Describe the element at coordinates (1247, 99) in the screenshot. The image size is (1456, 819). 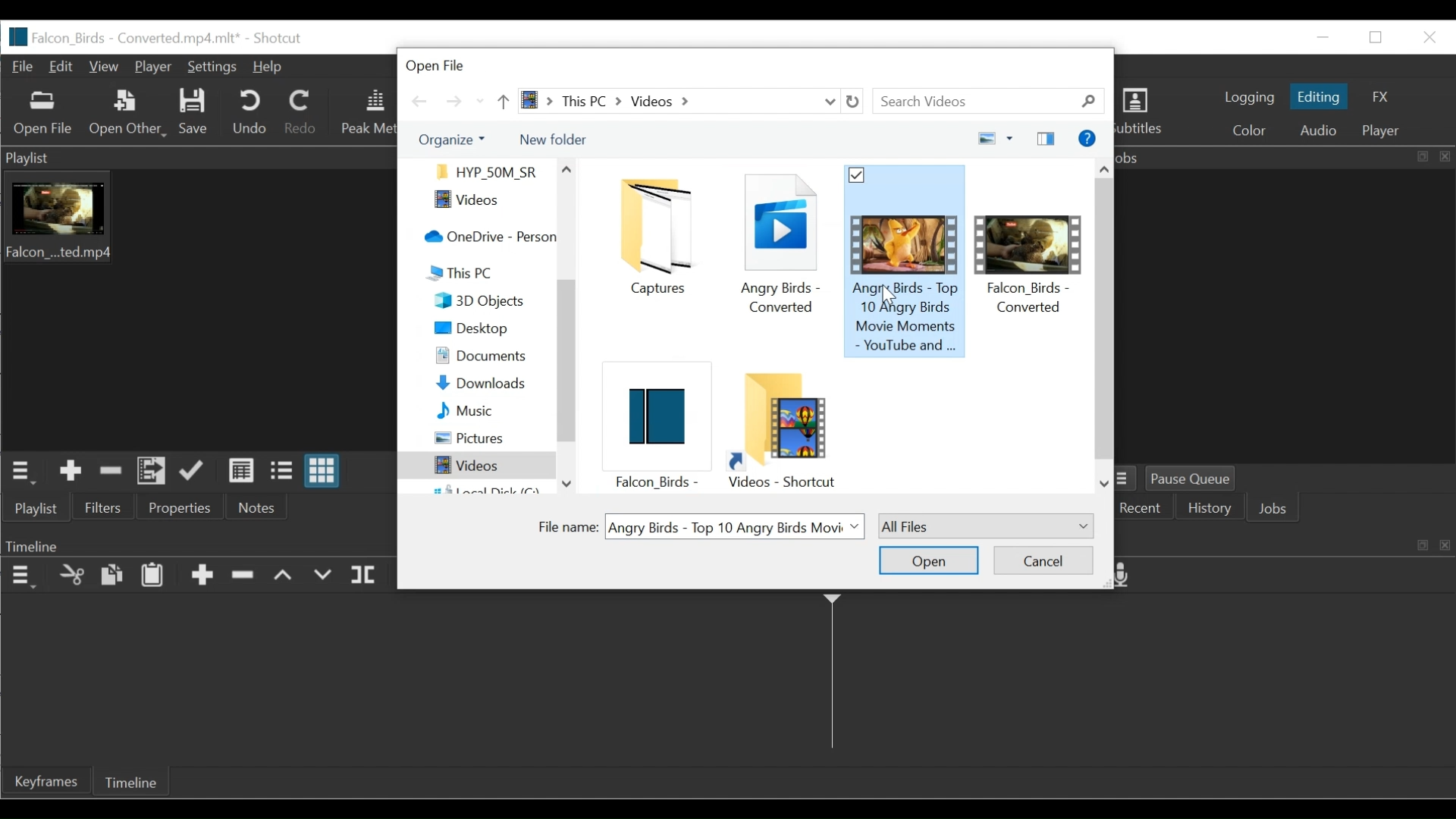
I see `logging` at that location.